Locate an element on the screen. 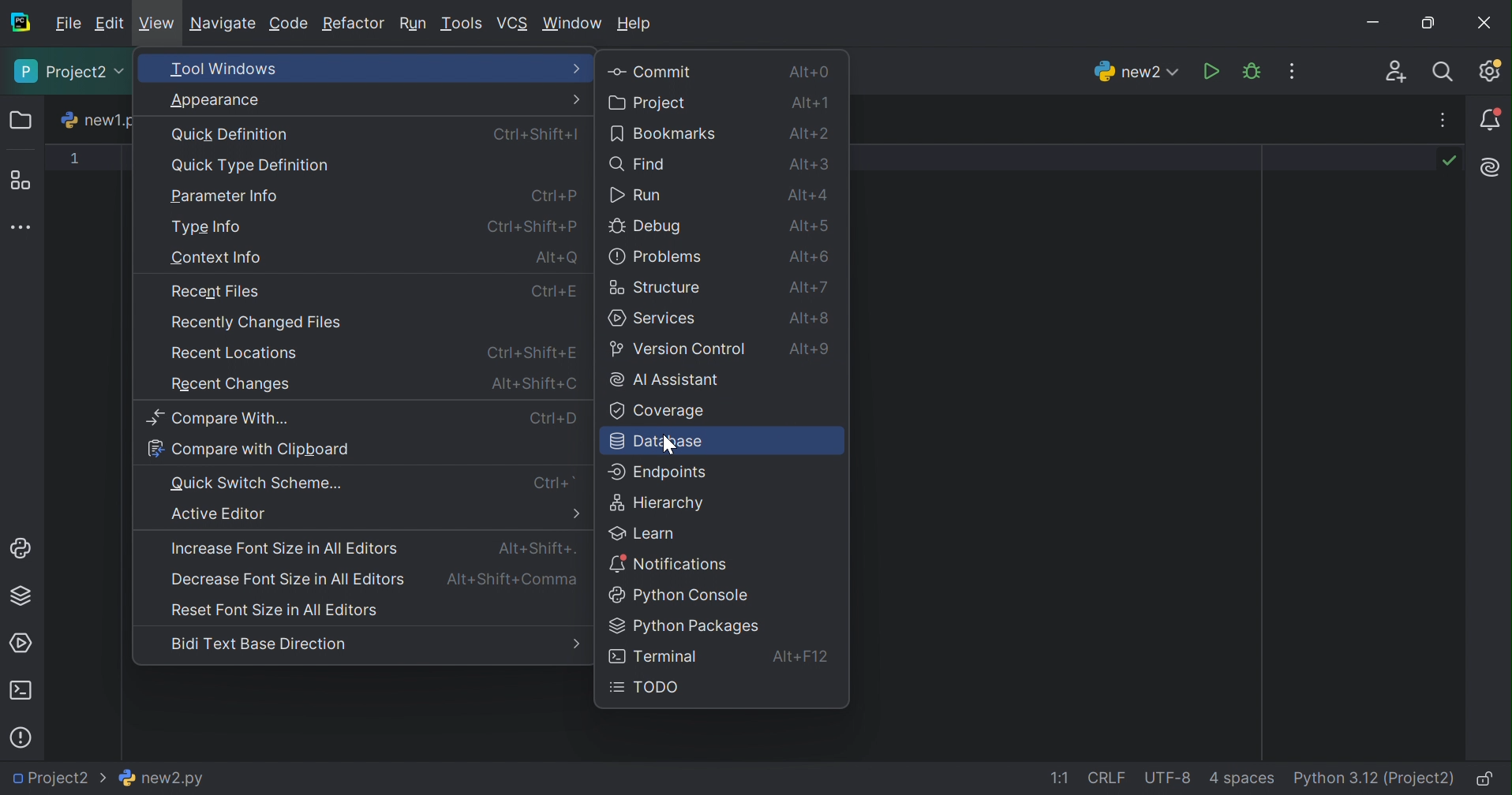 Image resolution: width=1512 pixels, height=795 pixels. Problems is located at coordinates (23, 737).